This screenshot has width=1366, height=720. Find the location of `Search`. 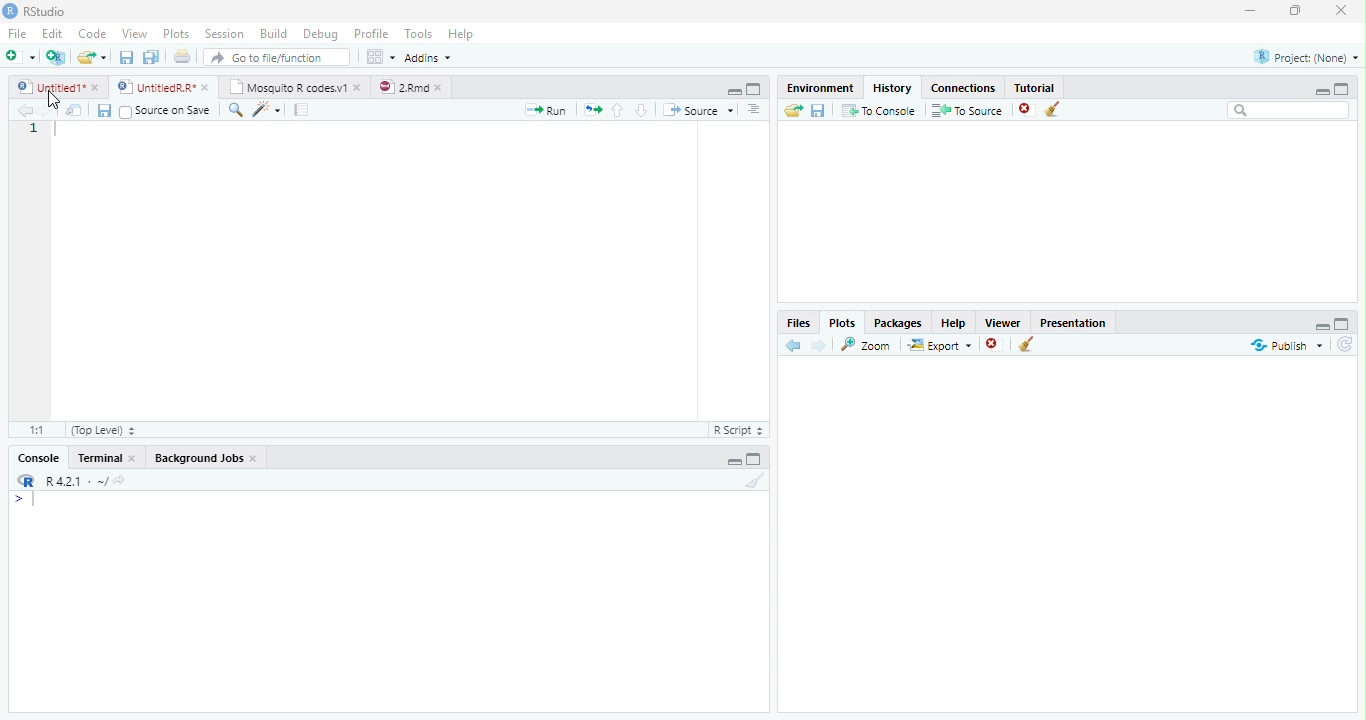

Search is located at coordinates (1287, 110).